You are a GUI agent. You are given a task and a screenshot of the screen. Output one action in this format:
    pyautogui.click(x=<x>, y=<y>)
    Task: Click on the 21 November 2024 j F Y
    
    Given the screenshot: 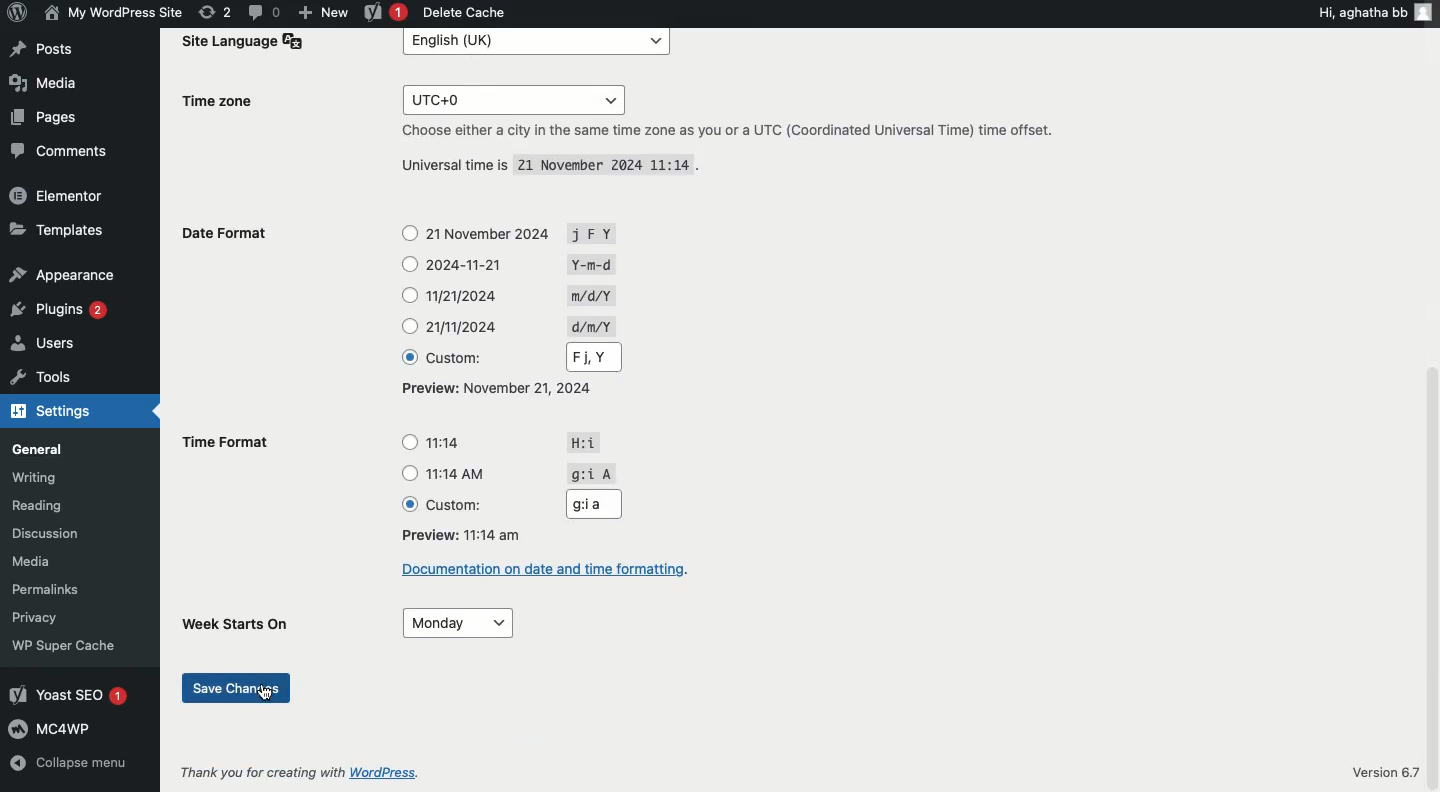 What is the action you would take?
    pyautogui.click(x=533, y=233)
    